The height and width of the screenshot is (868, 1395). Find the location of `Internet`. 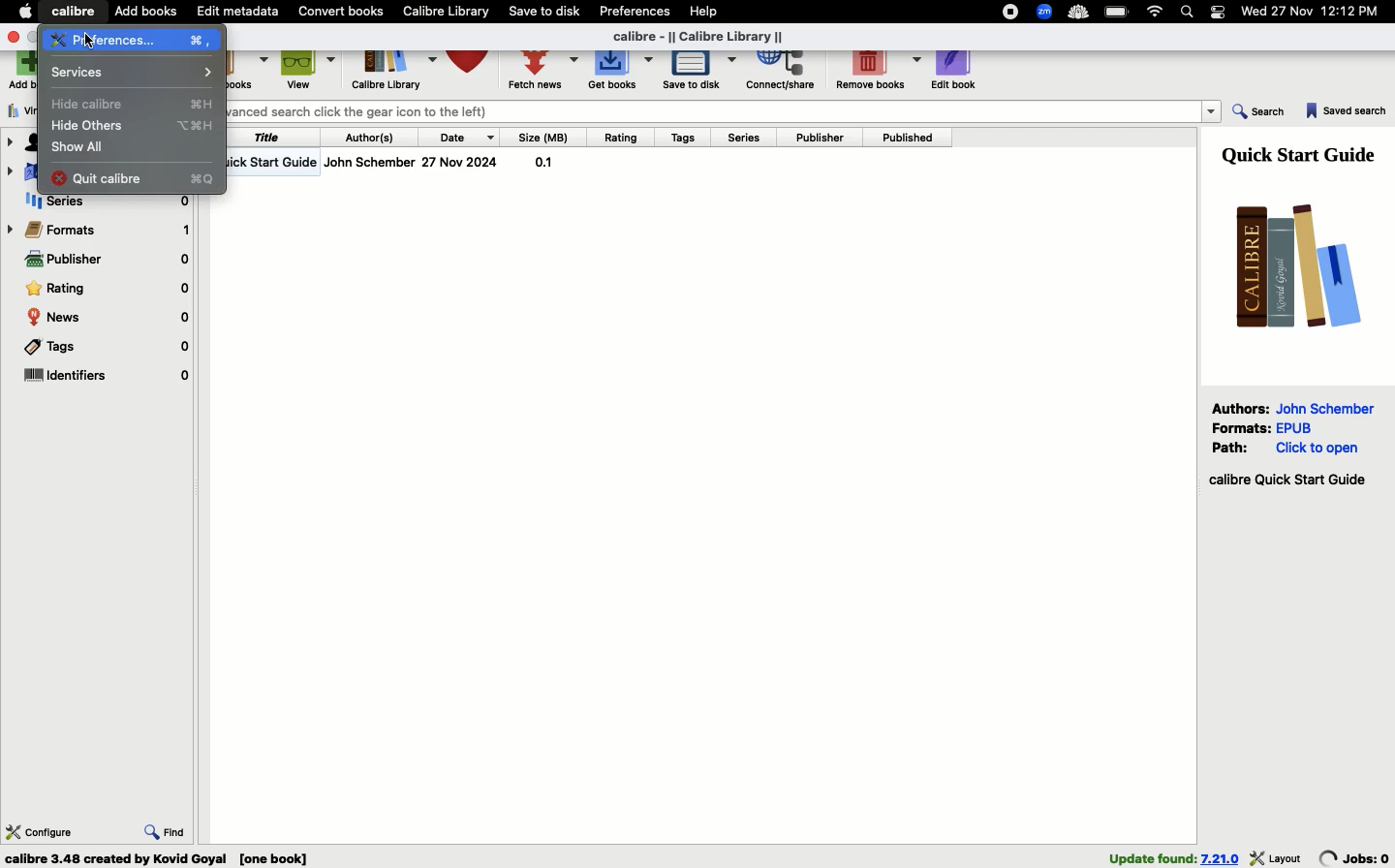

Internet is located at coordinates (1156, 12).